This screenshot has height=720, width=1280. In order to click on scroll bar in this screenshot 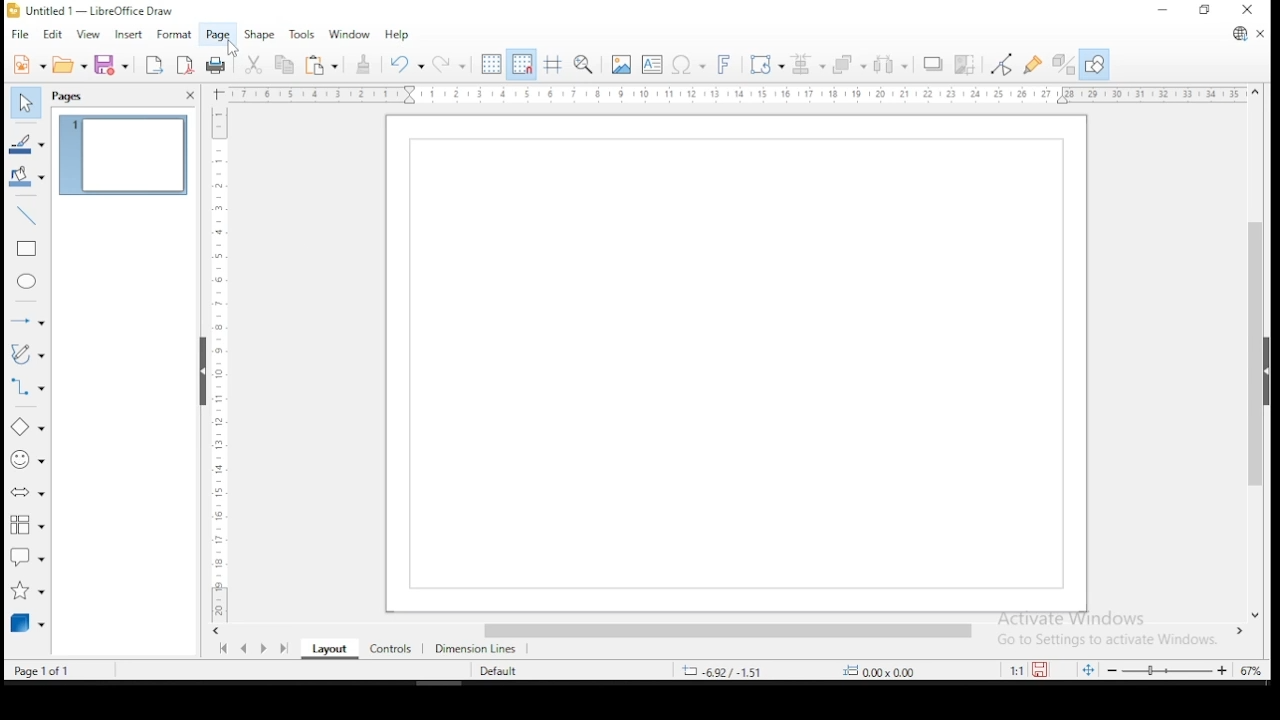, I will do `click(735, 632)`.